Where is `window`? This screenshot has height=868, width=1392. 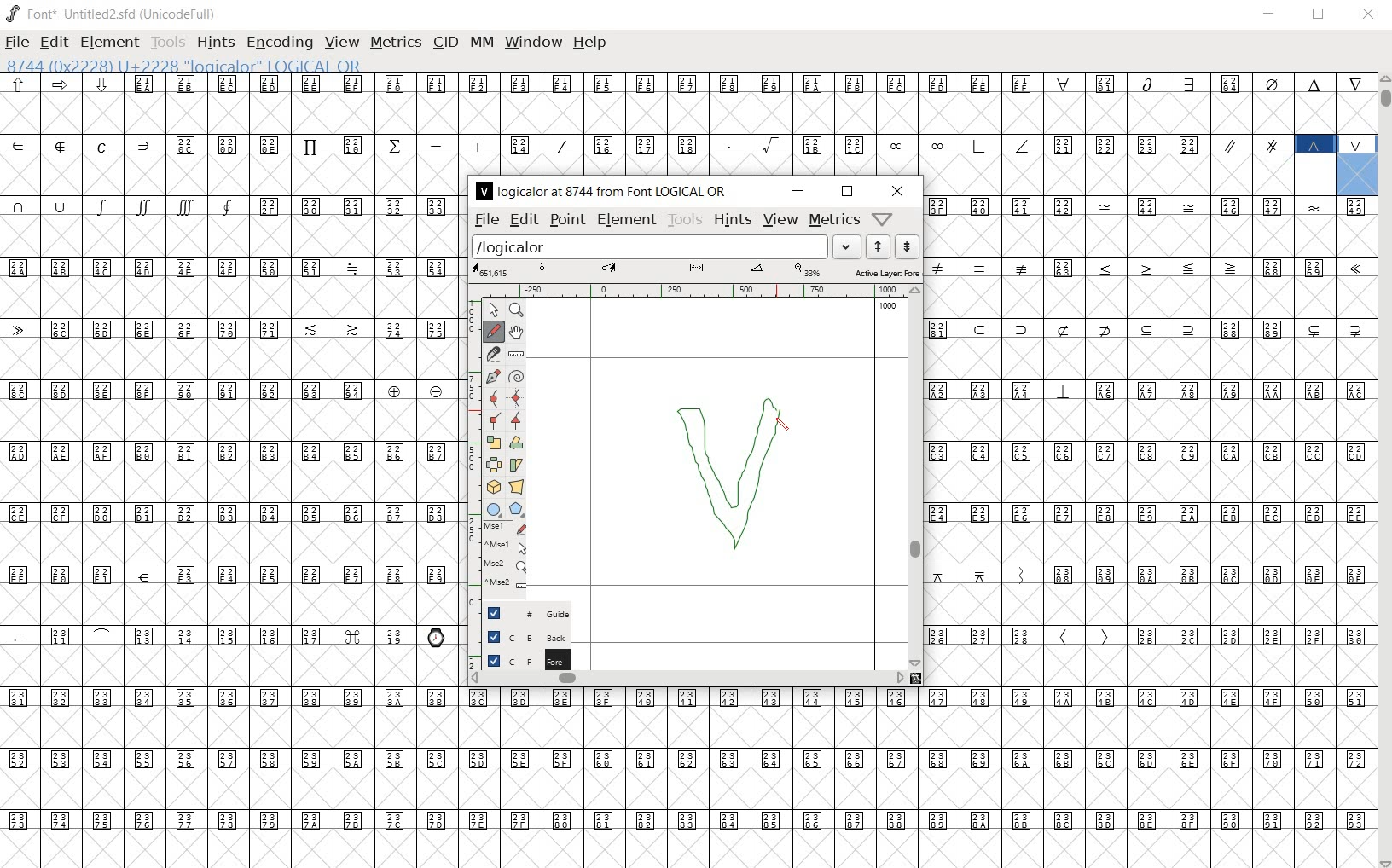 window is located at coordinates (535, 43).